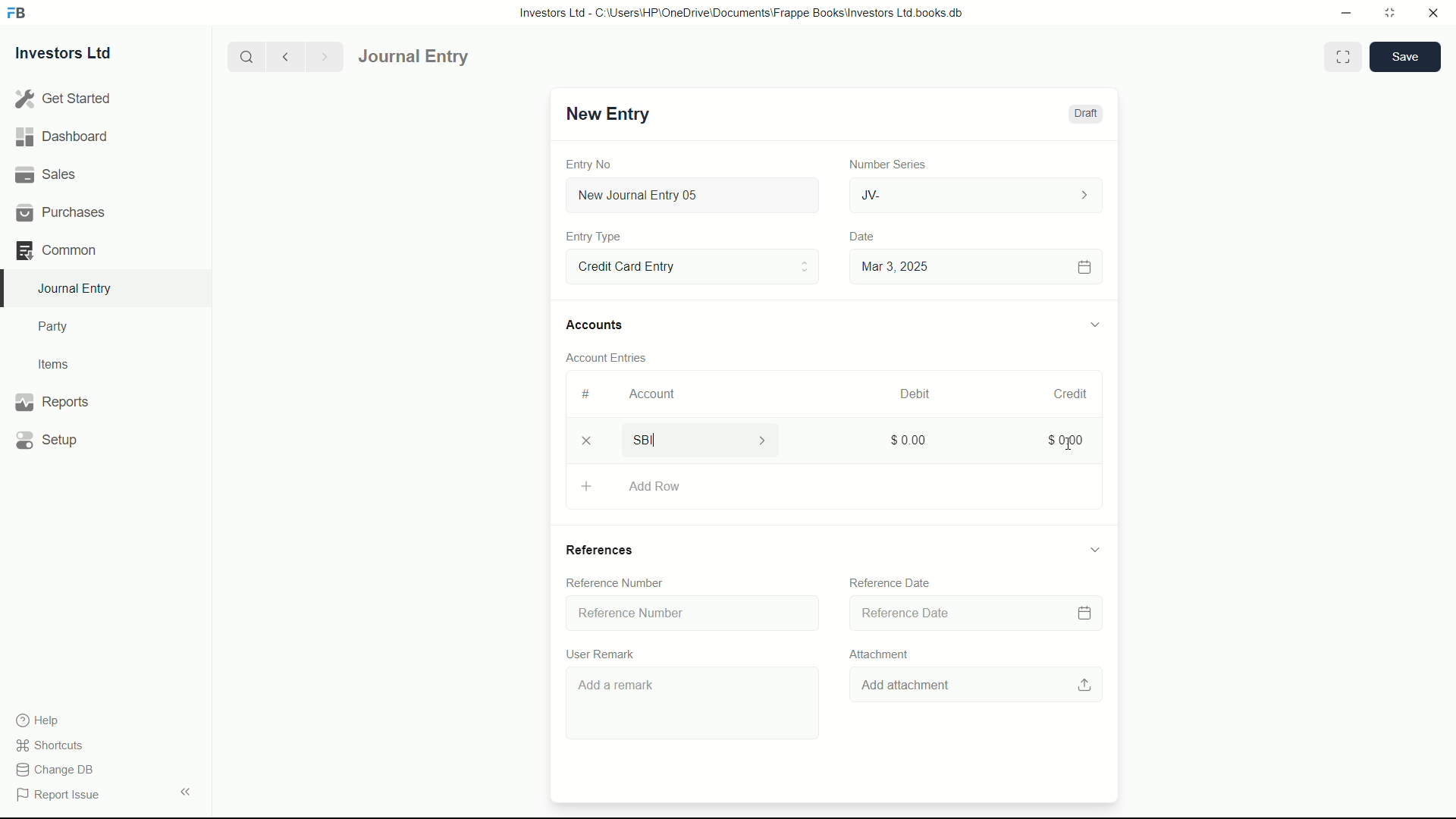 The image size is (1456, 819). Describe the element at coordinates (594, 237) in the screenshot. I see `Entry Type` at that location.